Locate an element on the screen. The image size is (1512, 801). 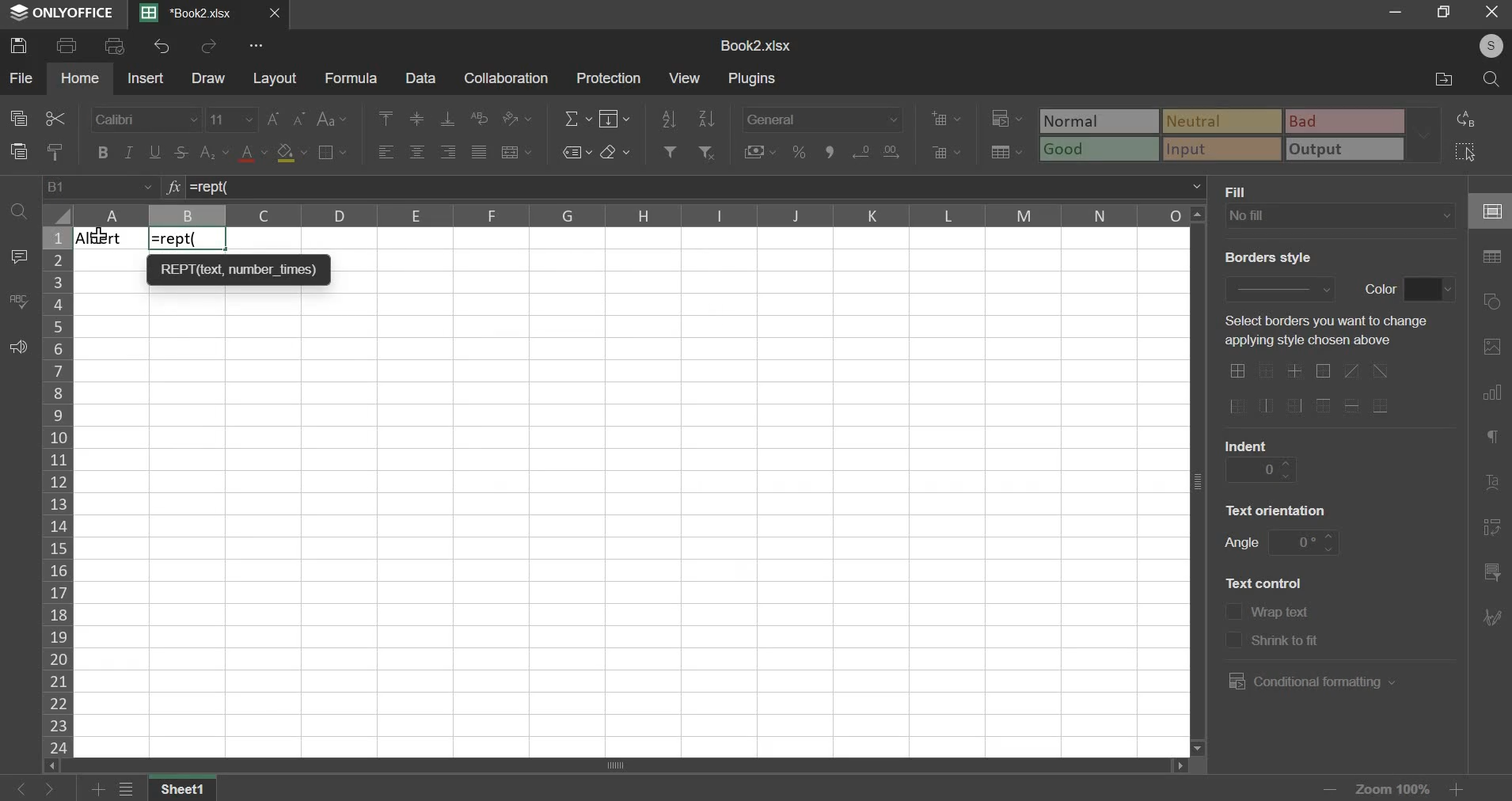
comment is located at coordinates (22, 255).